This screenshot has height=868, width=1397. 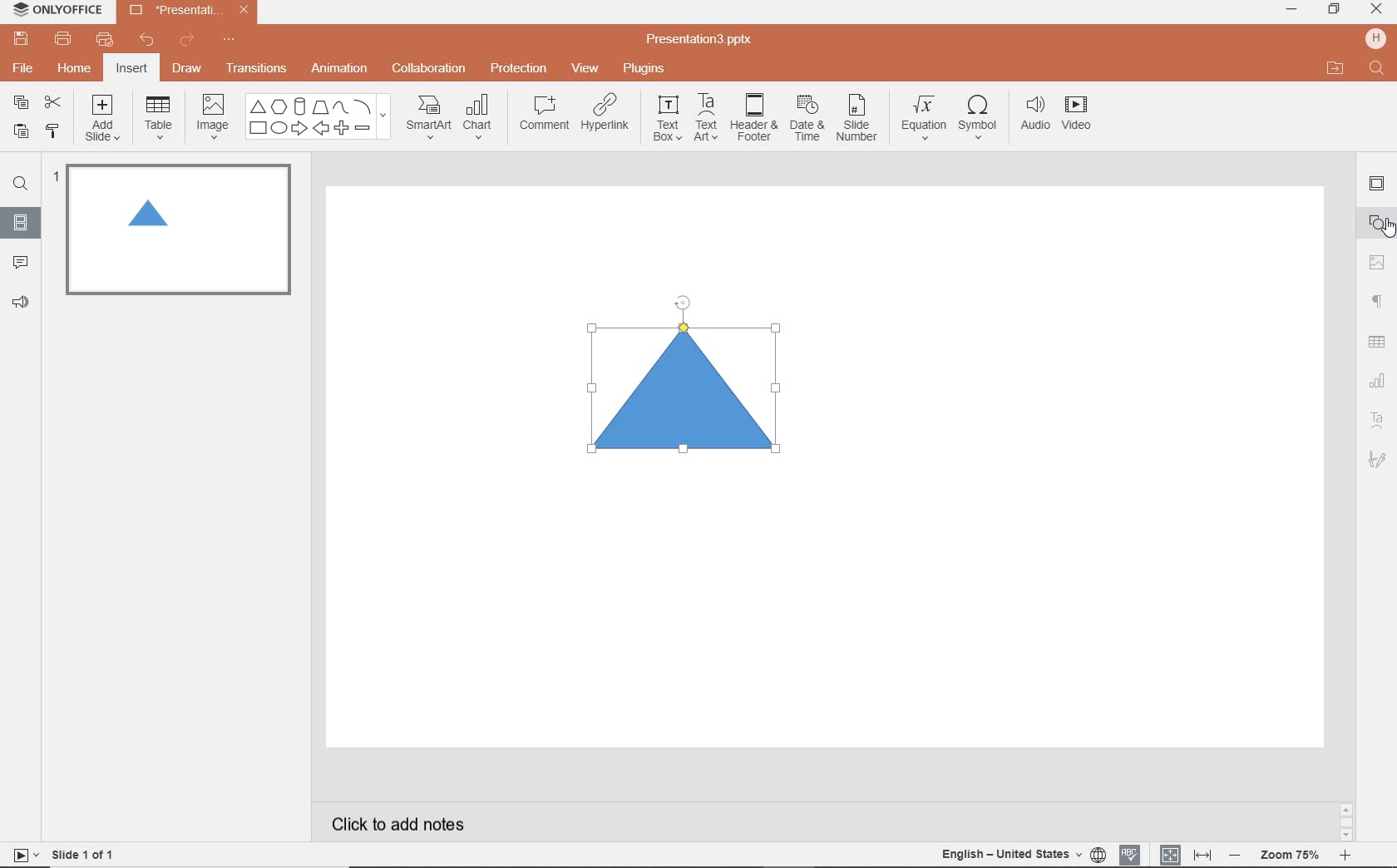 I want to click on zoom out, so click(x=1237, y=856).